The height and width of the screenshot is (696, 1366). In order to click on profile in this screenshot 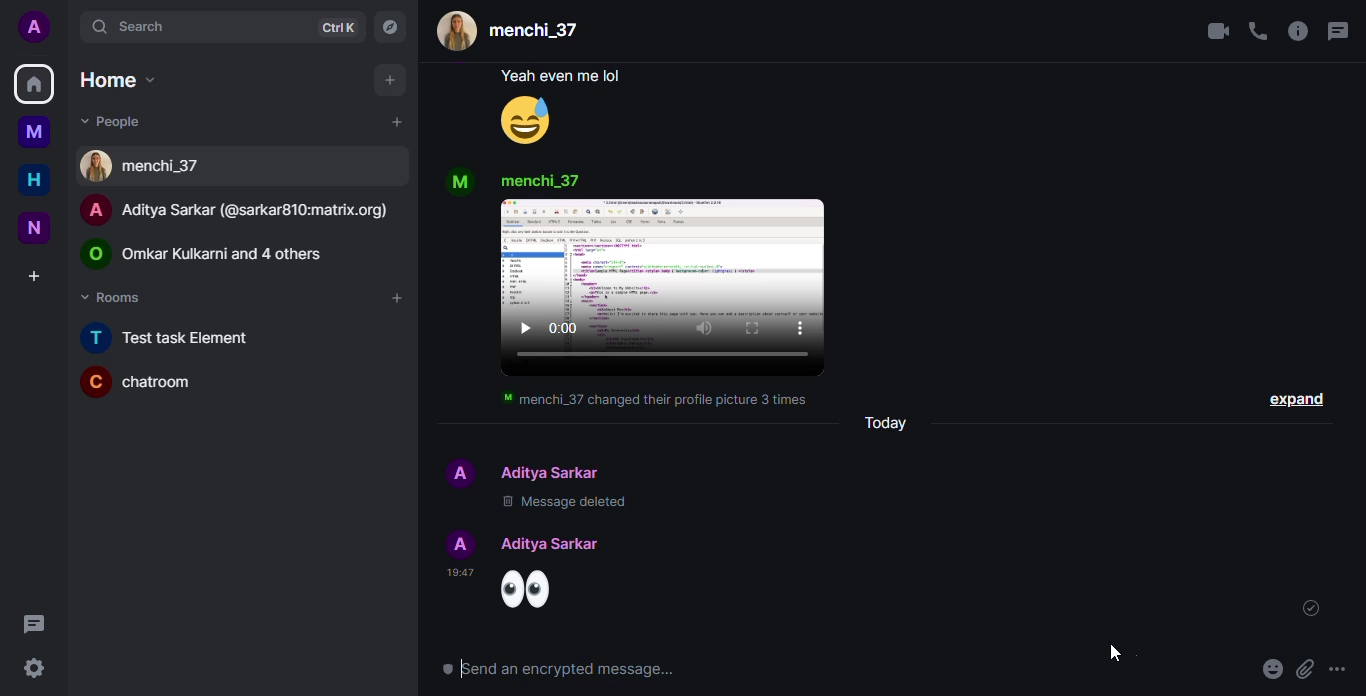, I will do `click(458, 471)`.